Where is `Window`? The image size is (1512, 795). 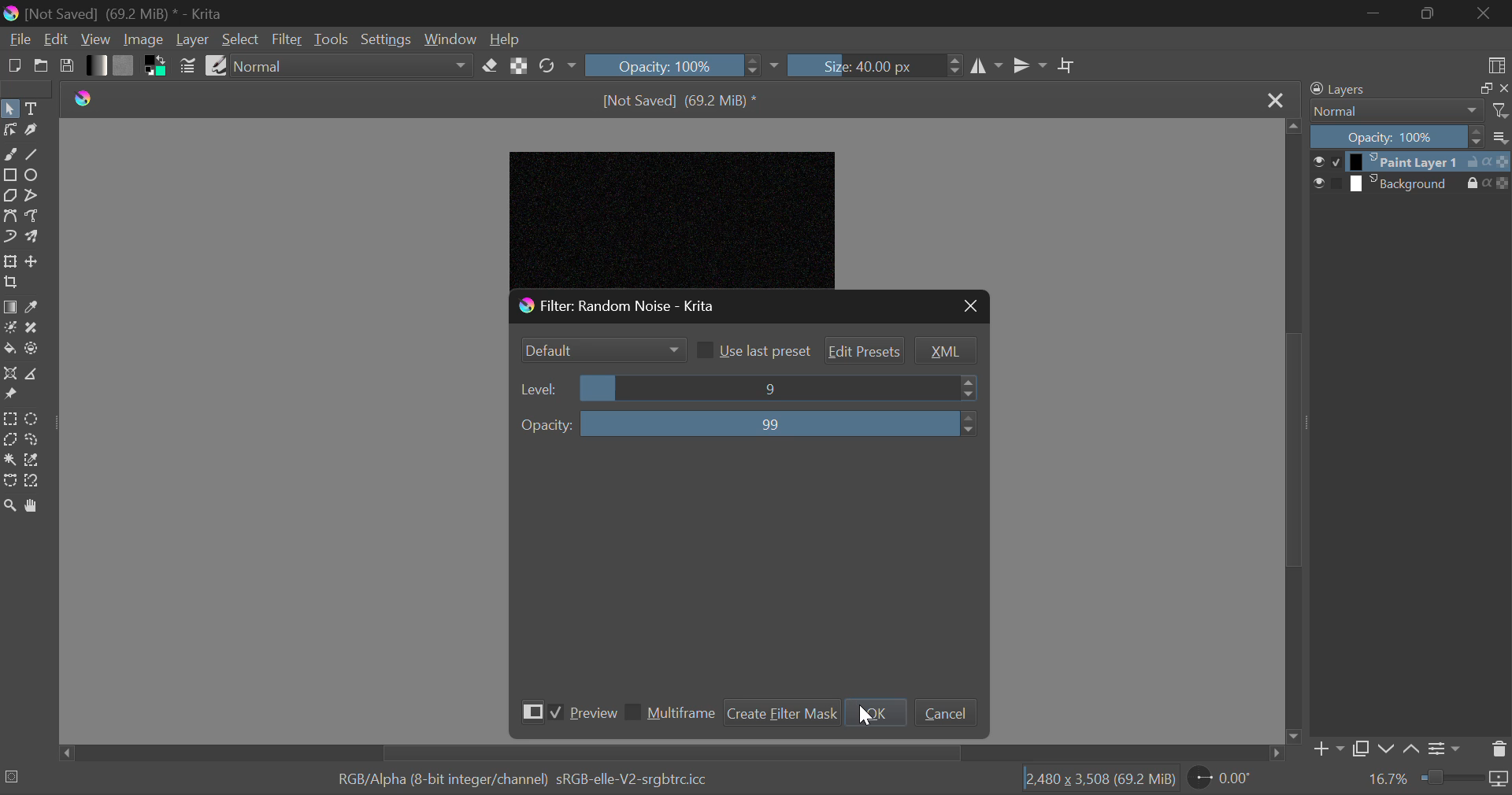
Window is located at coordinates (450, 38).